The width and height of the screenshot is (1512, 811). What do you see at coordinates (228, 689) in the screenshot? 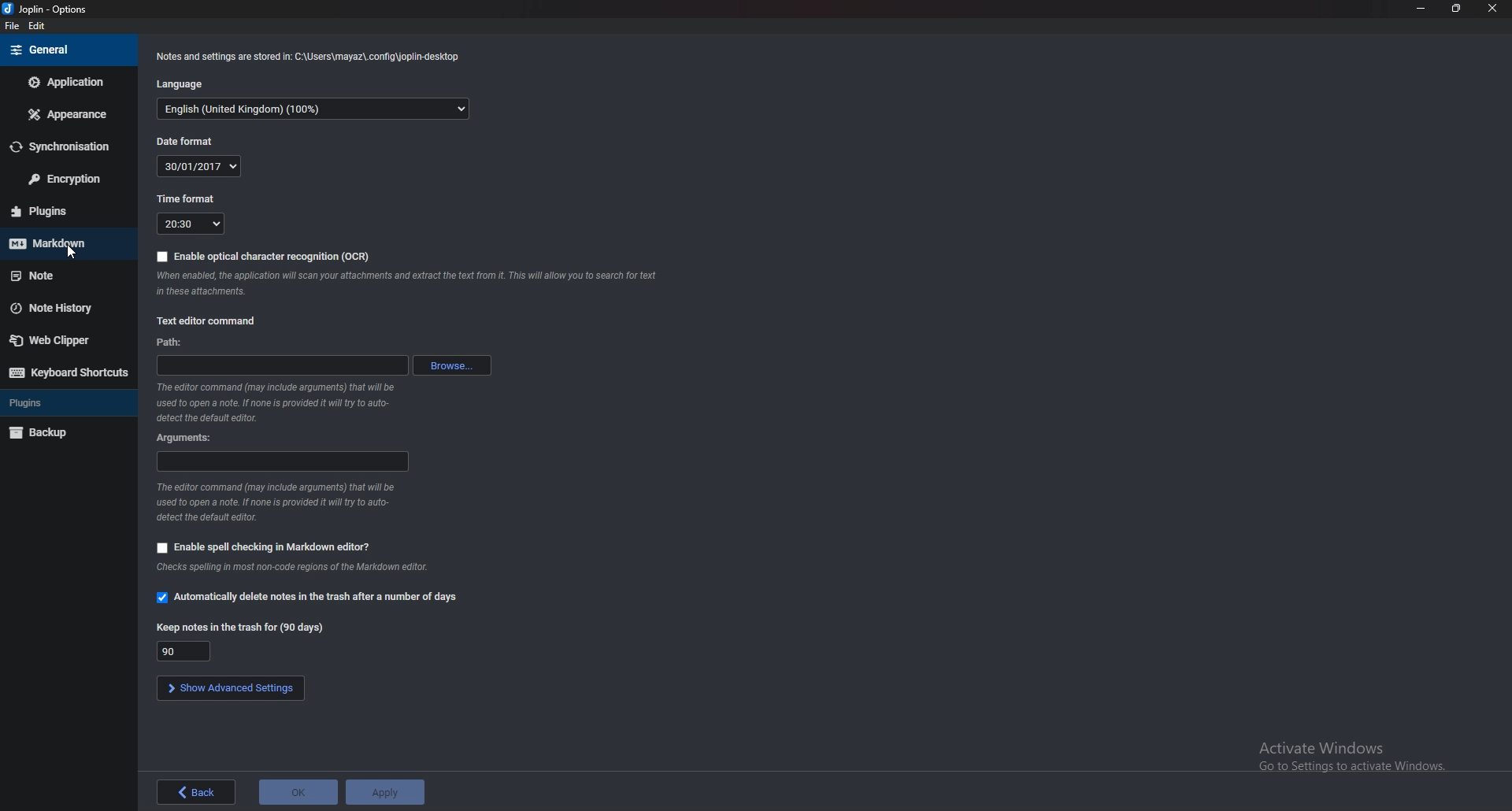
I see `show advanced settings` at bounding box center [228, 689].